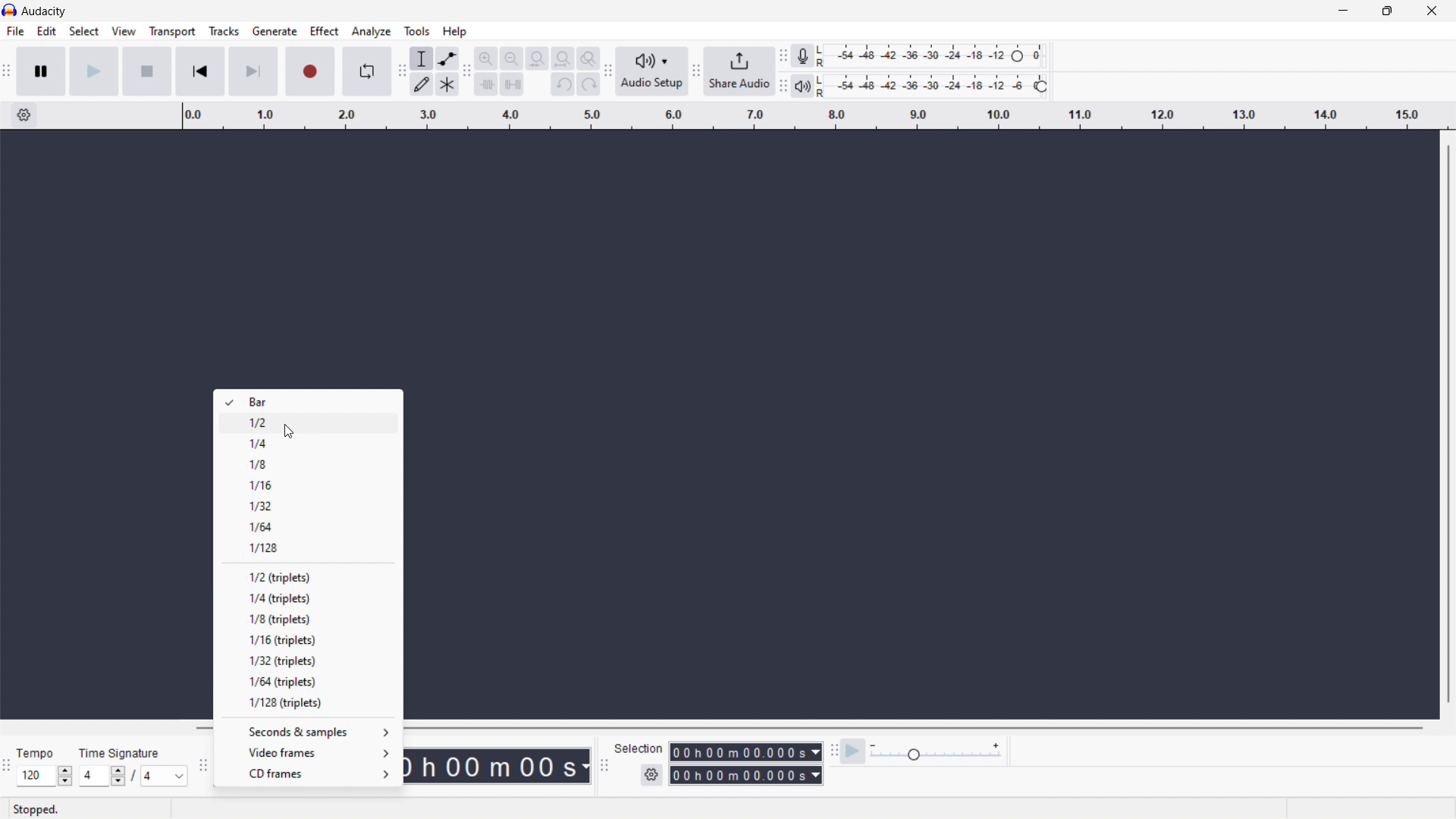 This screenshot has height=819, width=1456. Describe the element at coordinates (447, 59) in the screenshot. I see `envelop tool` at that location.